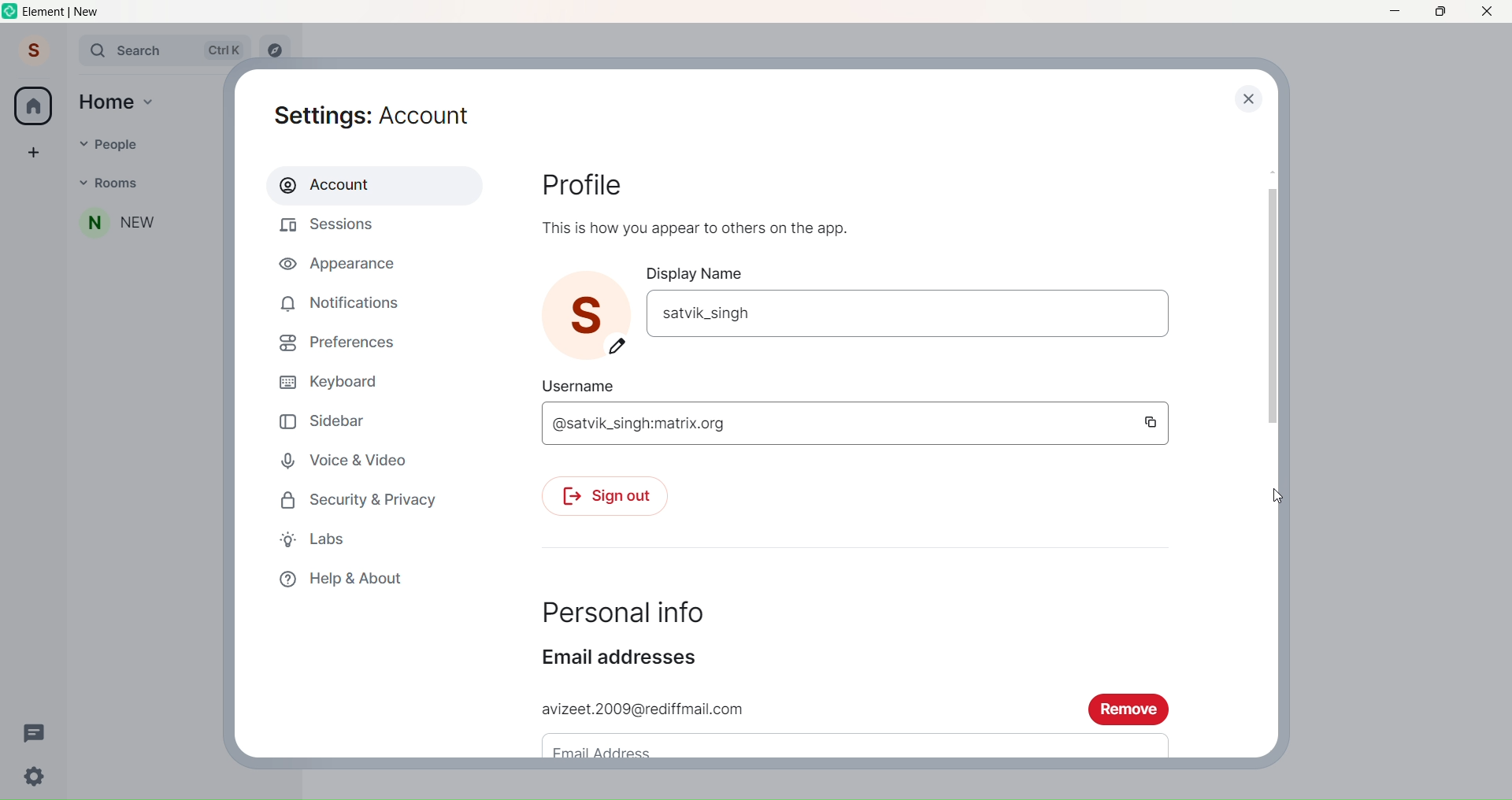  I want to click on Minimize, so click(1394, 12).